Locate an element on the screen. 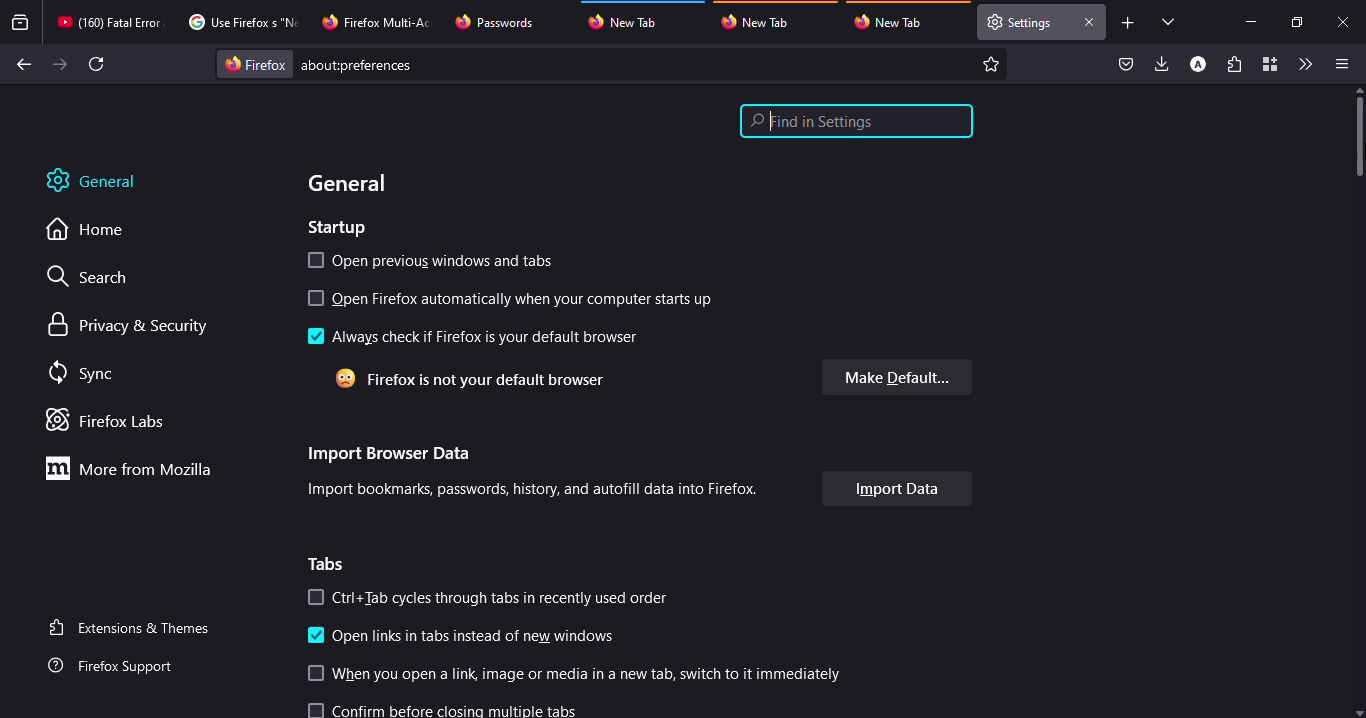 The image size is (1366, 718). make default is located at coordinates (896, 374).